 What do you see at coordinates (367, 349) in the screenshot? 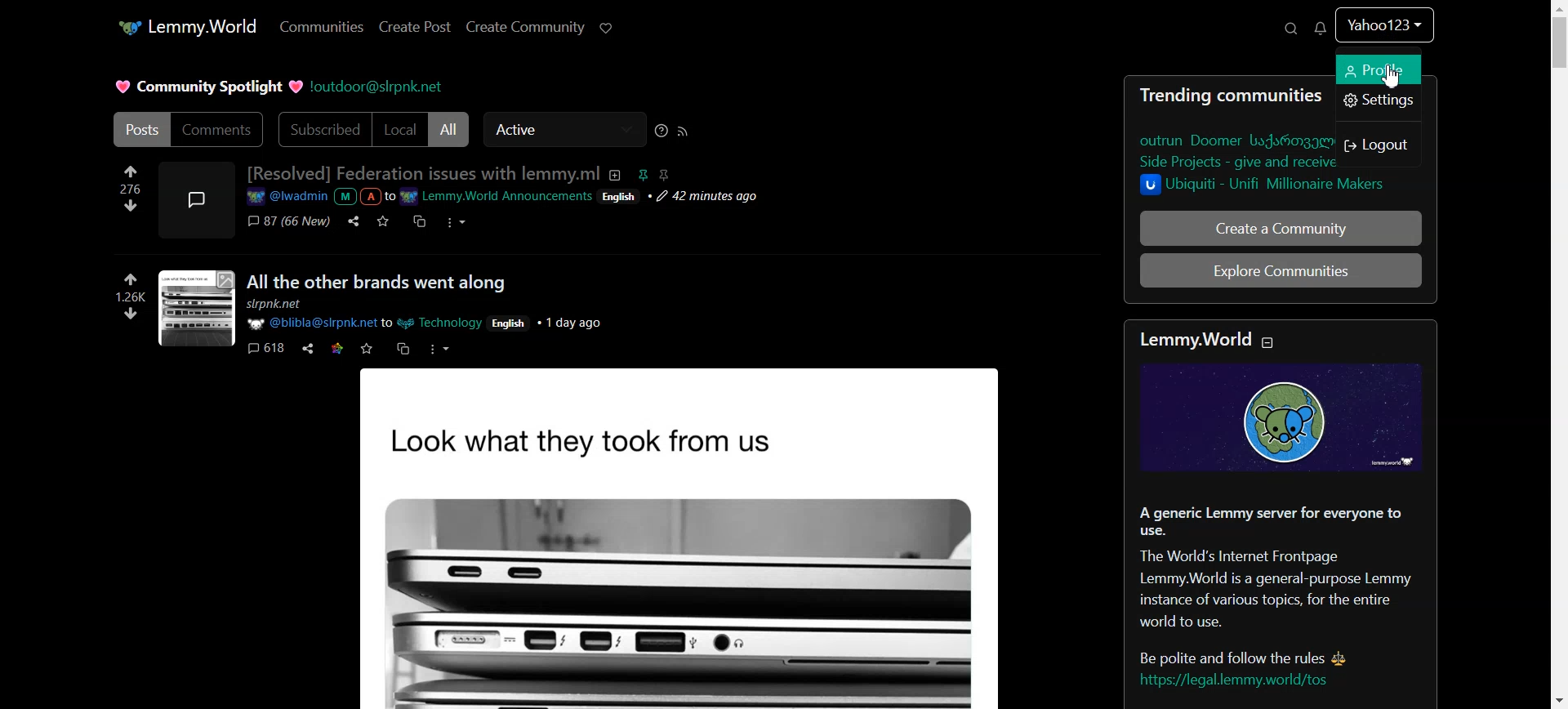
I see `save` at bounding box center [367, 349].